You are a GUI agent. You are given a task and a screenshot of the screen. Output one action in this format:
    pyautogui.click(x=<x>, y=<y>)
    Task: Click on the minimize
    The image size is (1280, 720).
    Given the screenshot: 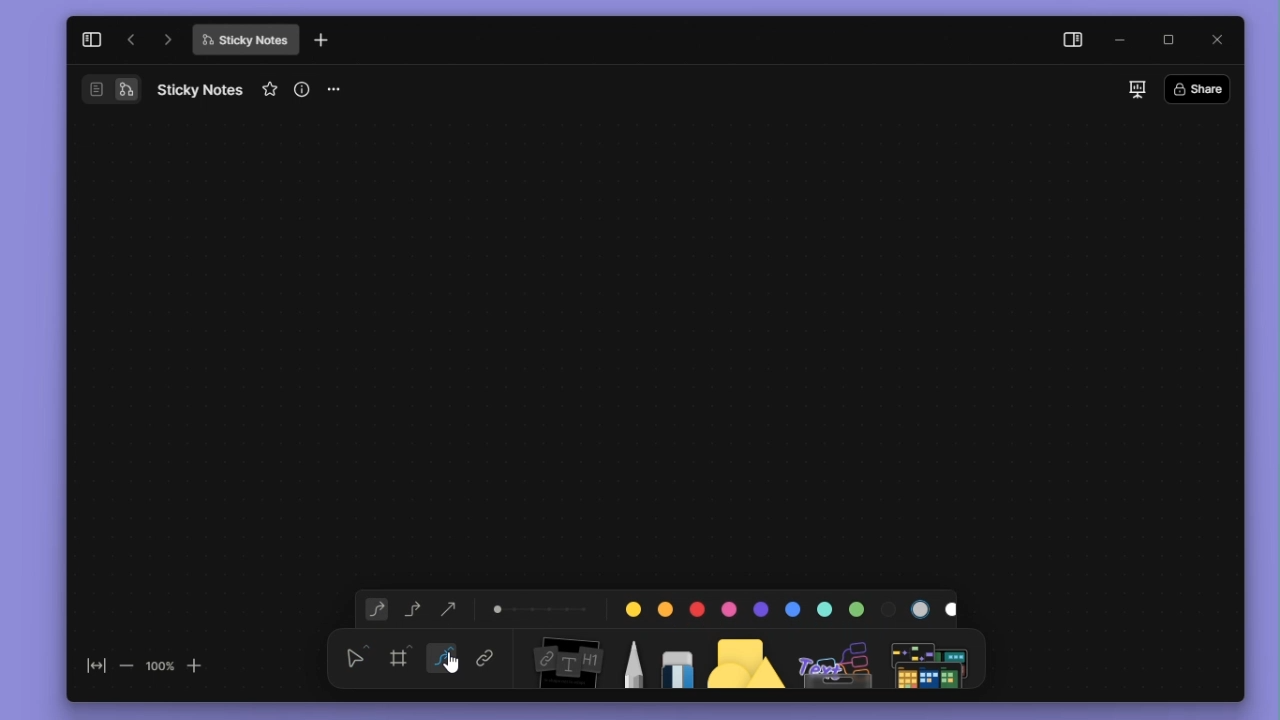 What is the action you would take?
    pyautogui.click(x=1125, y=41)
    